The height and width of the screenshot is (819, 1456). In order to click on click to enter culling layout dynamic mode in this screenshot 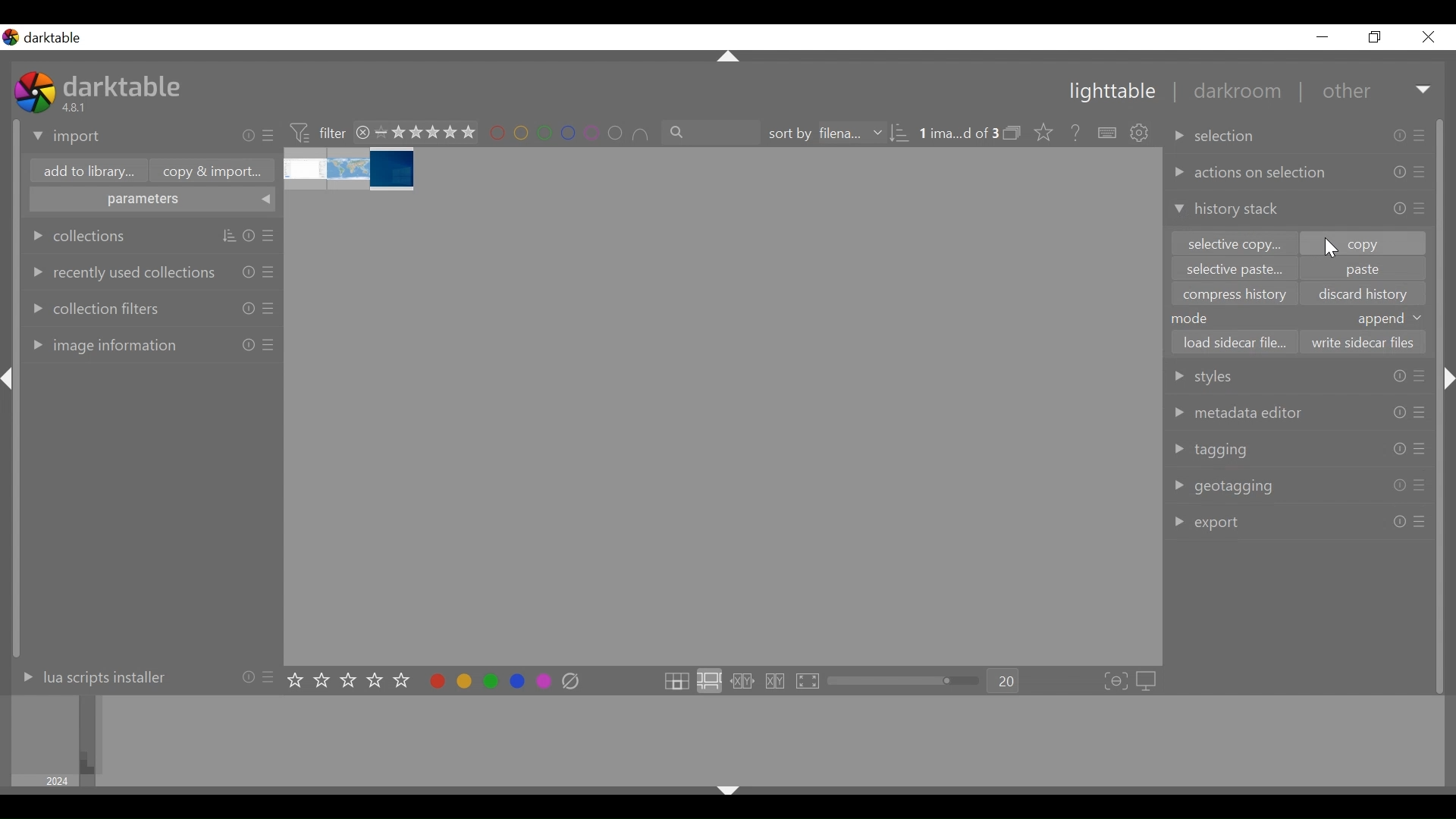, I will do `click(777, 682)`.